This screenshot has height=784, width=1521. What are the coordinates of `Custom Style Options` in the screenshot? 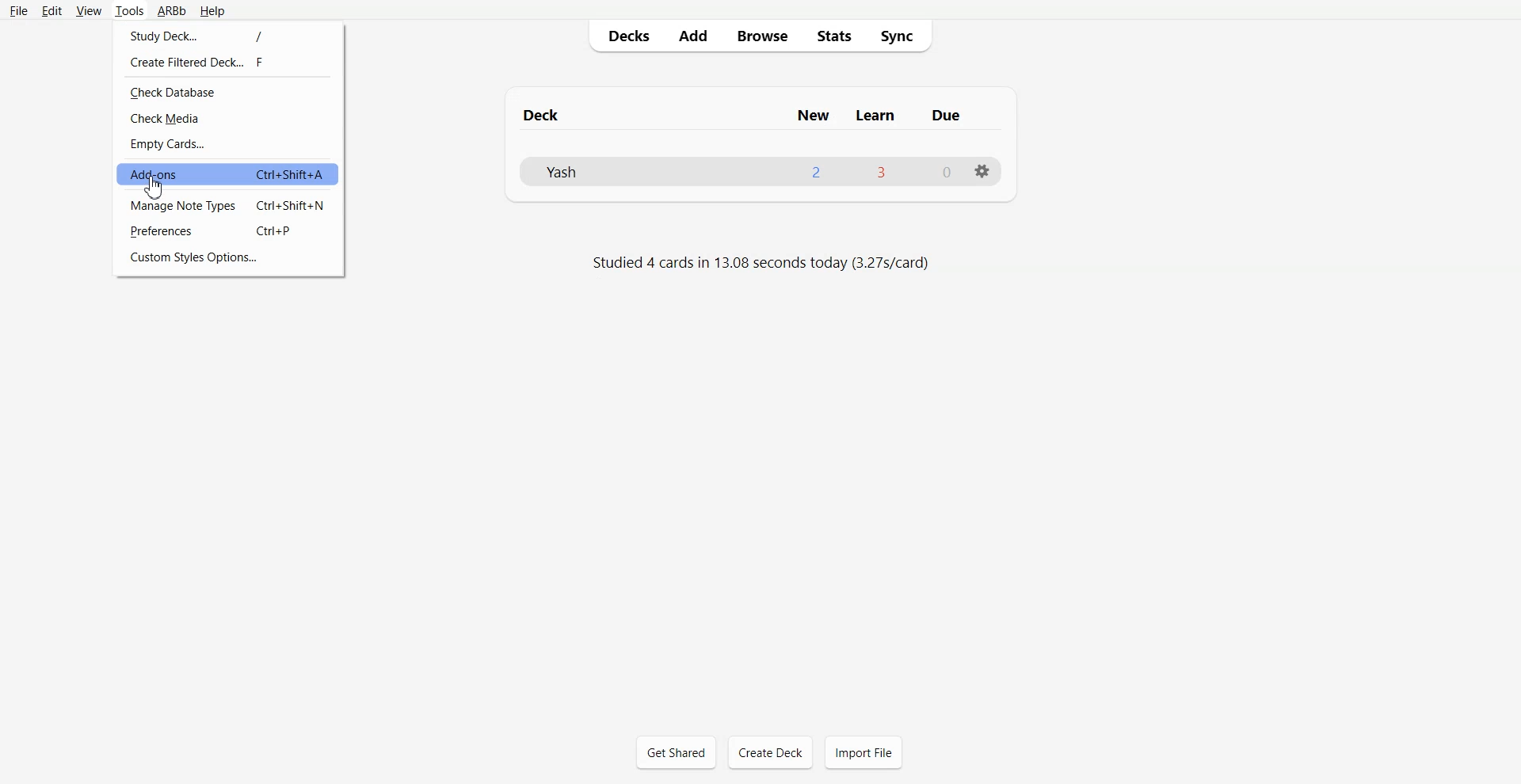 It's located at (229, 258).